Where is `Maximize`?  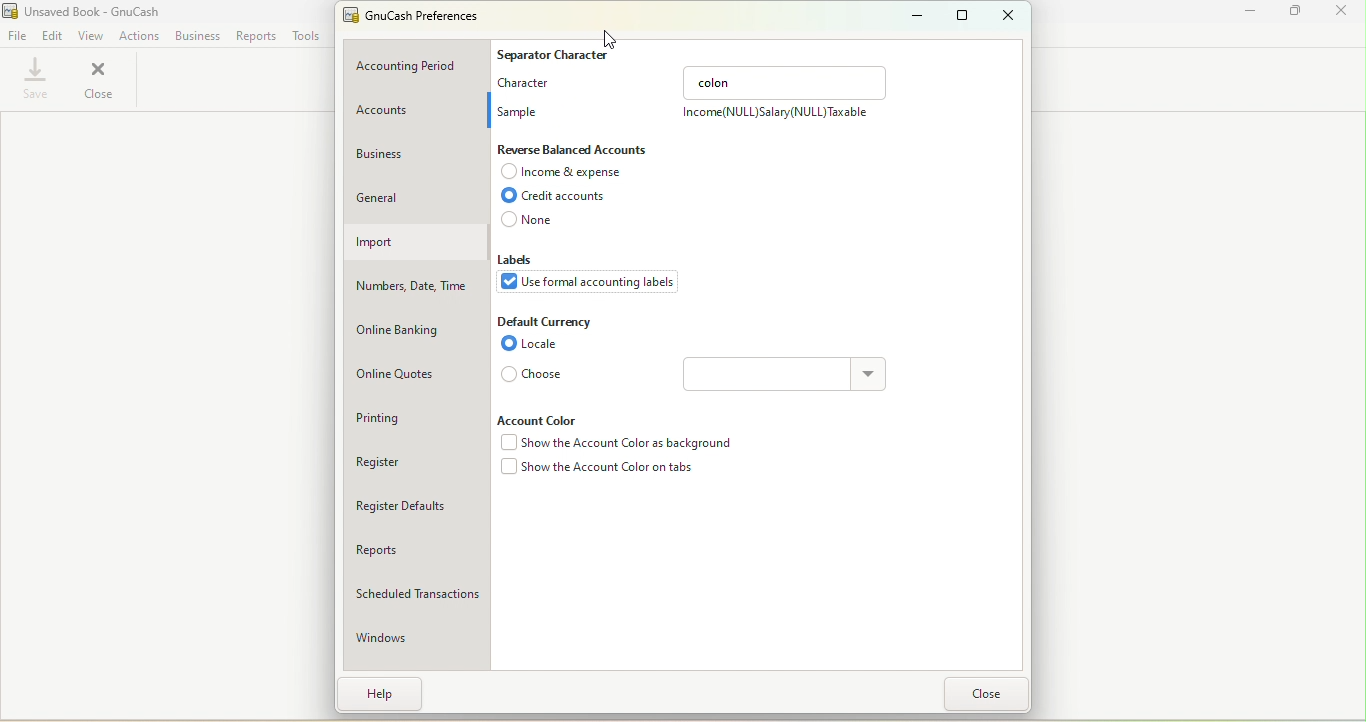 Maximize is located at coordinates (1291, 12).